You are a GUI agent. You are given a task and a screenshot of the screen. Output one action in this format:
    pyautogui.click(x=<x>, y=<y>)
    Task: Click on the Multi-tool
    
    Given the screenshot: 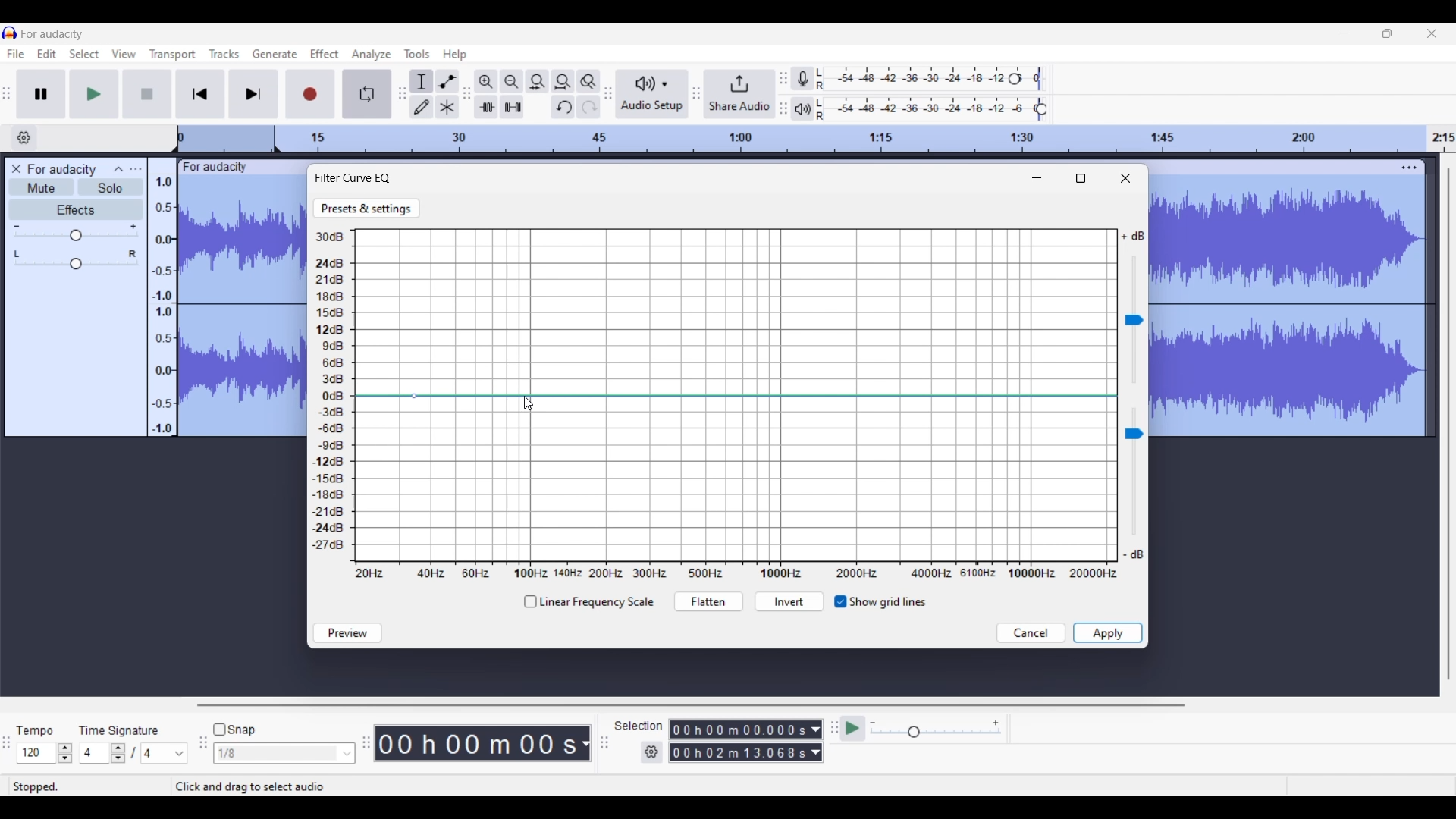 What is the action you would take?
    pyautogui.click(x=447, y=106)
    